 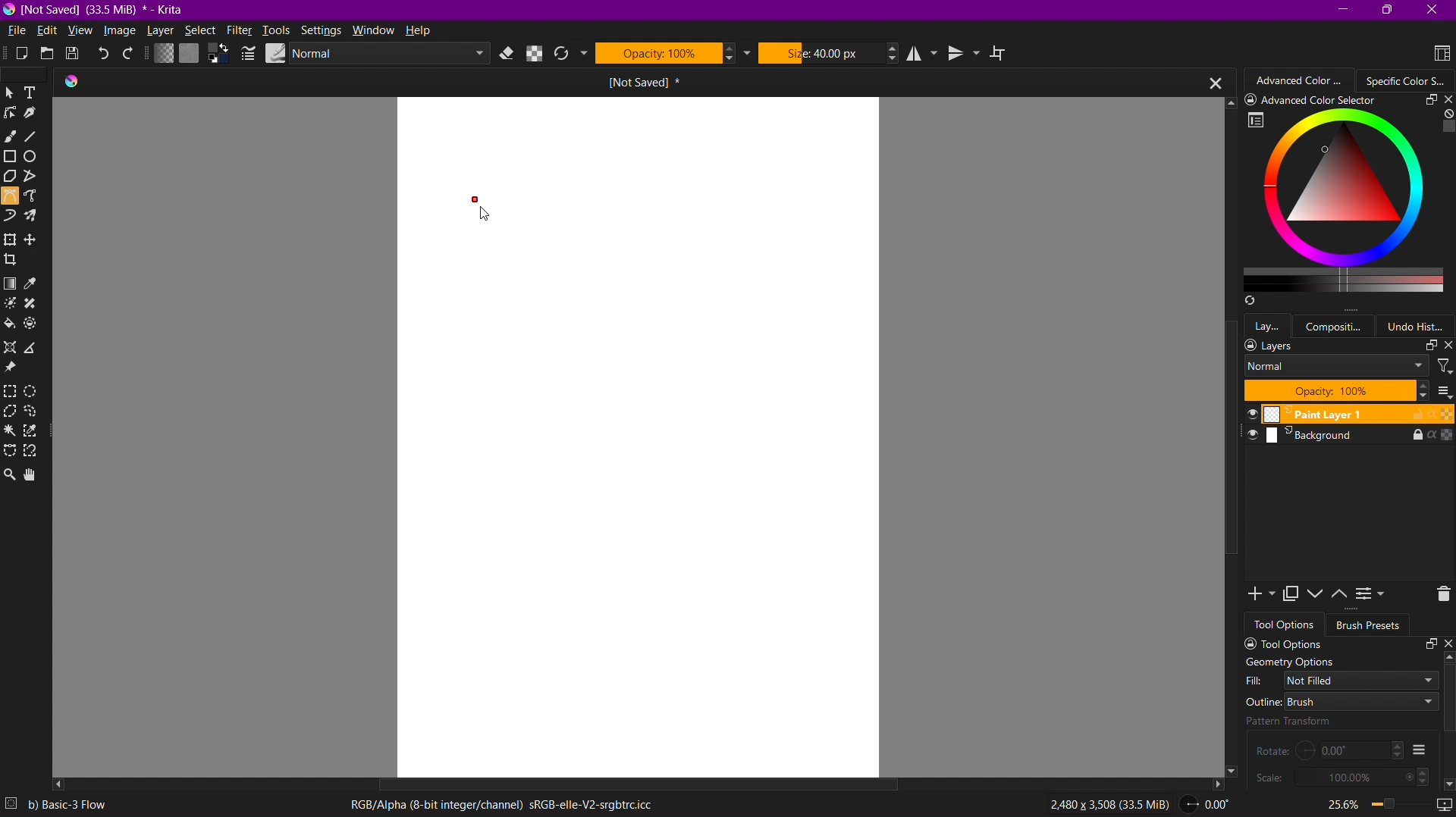 I want to click on Composition, so click(x=1338, y=325).